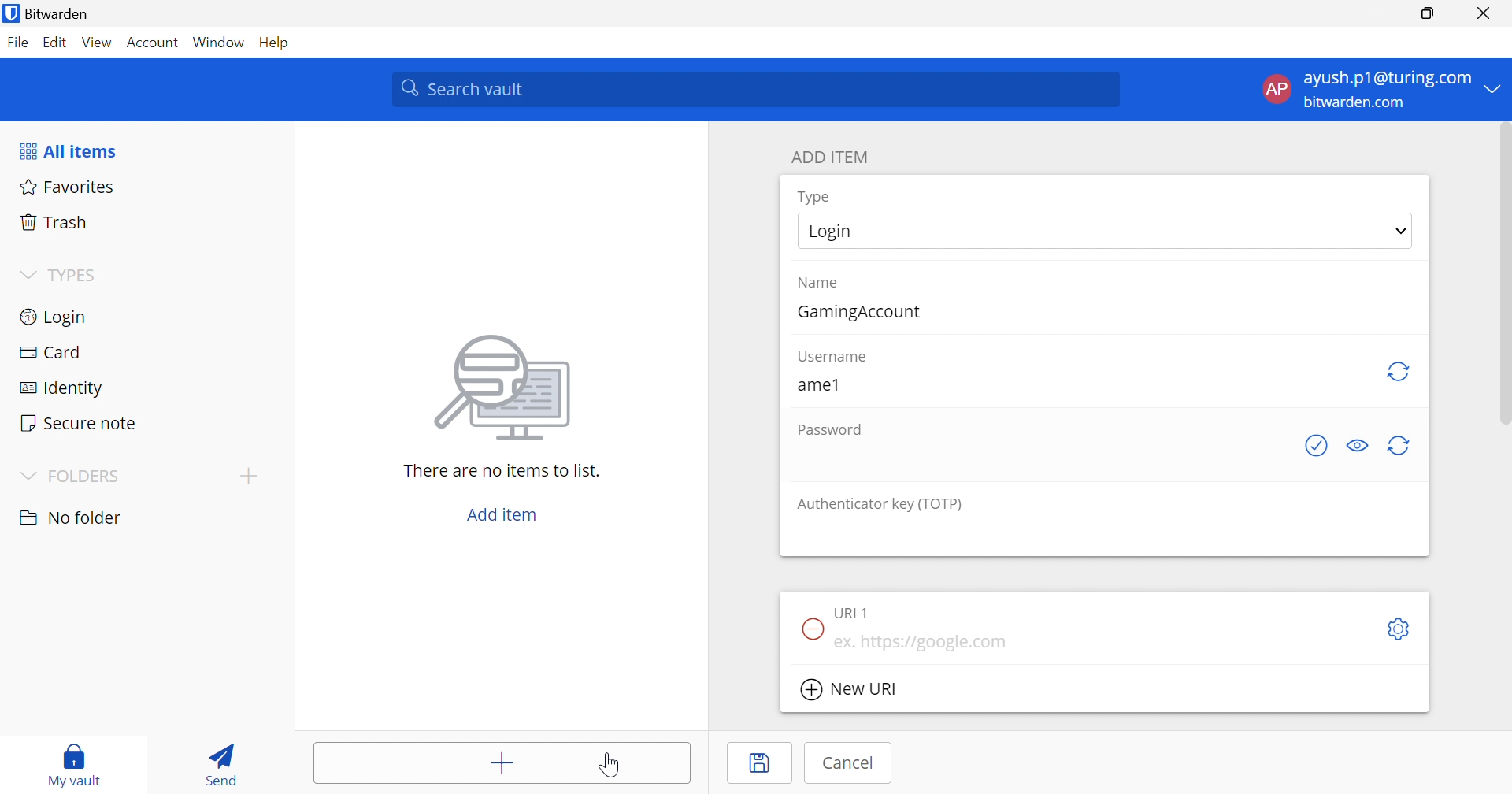 This screenshot has height=794, width=1512. I want to click on New URI, so click(848, 689).